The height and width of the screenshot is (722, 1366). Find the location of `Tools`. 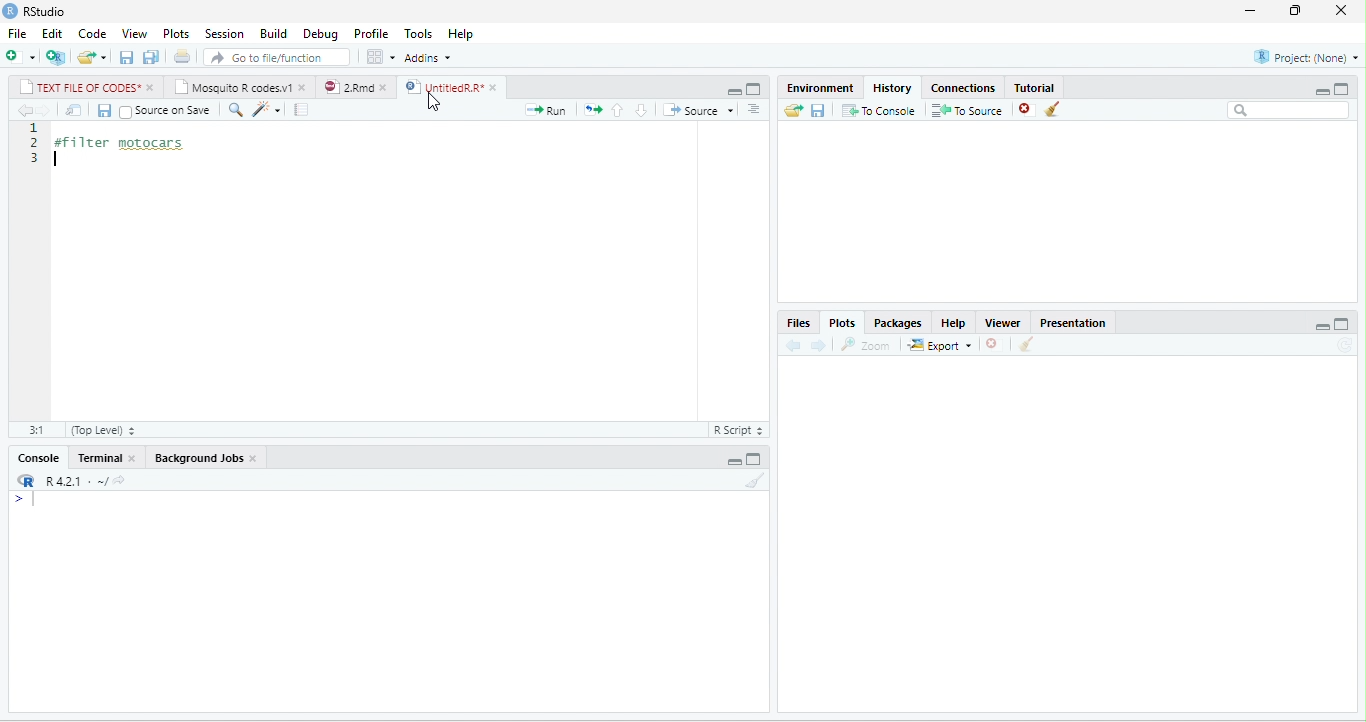

Tools is located at coordinates (418, 34).